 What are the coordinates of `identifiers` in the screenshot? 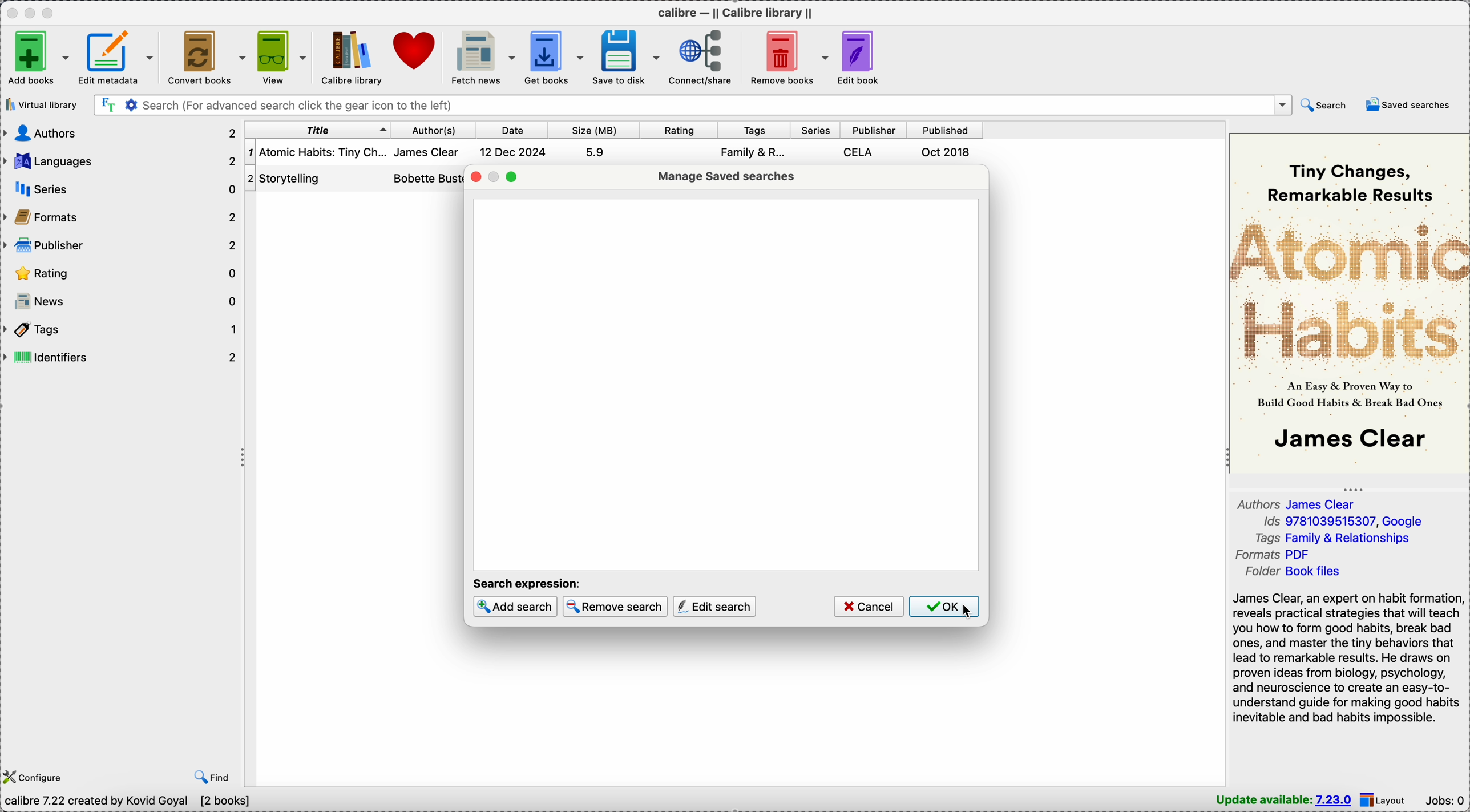 It's located at (122, 357).